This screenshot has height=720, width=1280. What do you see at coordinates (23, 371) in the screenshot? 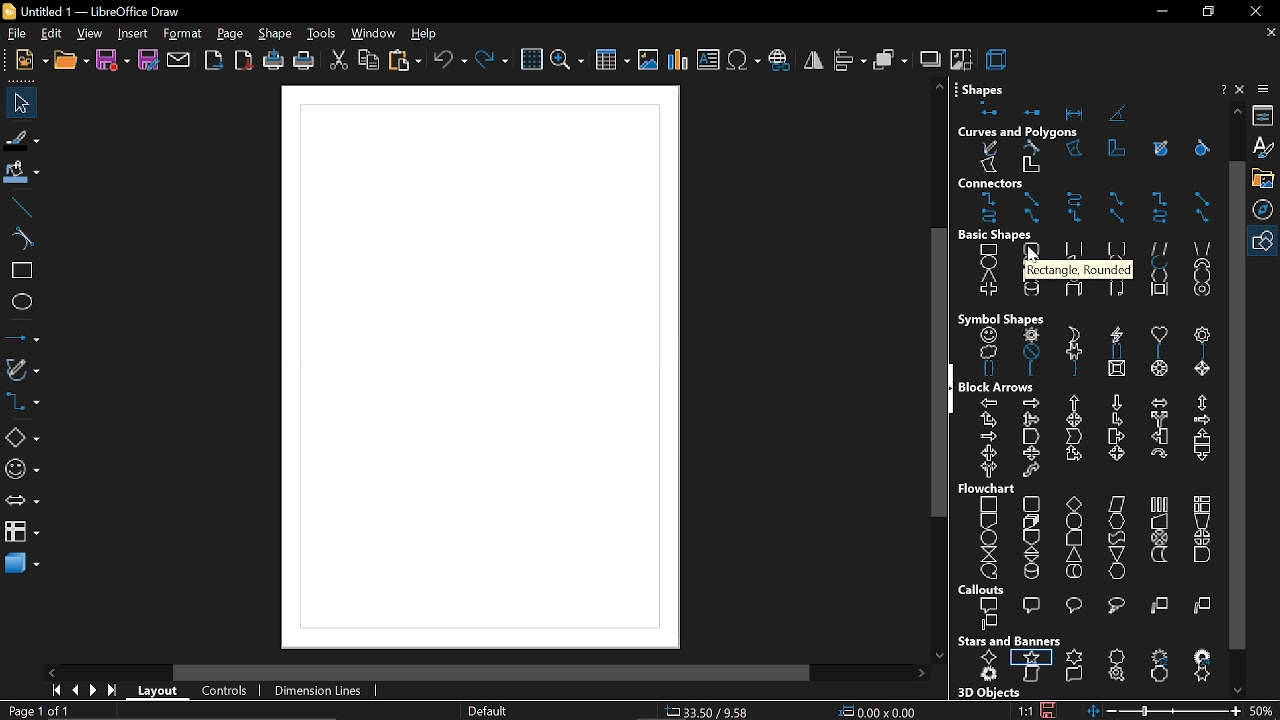
I see `curve and polygons` at bounding box center [23, 371].